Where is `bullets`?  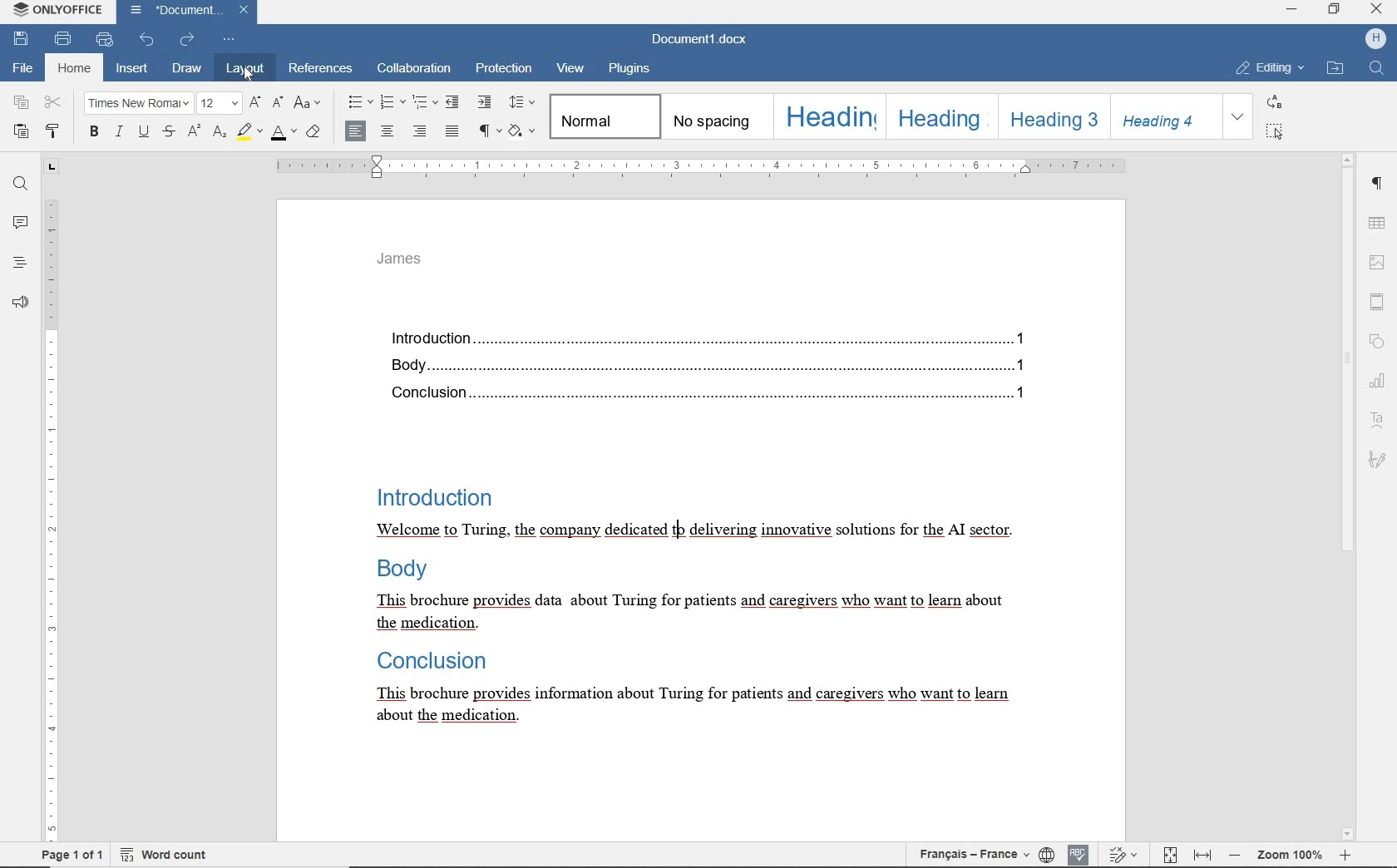
bullets is located at coordinates (359, 101).